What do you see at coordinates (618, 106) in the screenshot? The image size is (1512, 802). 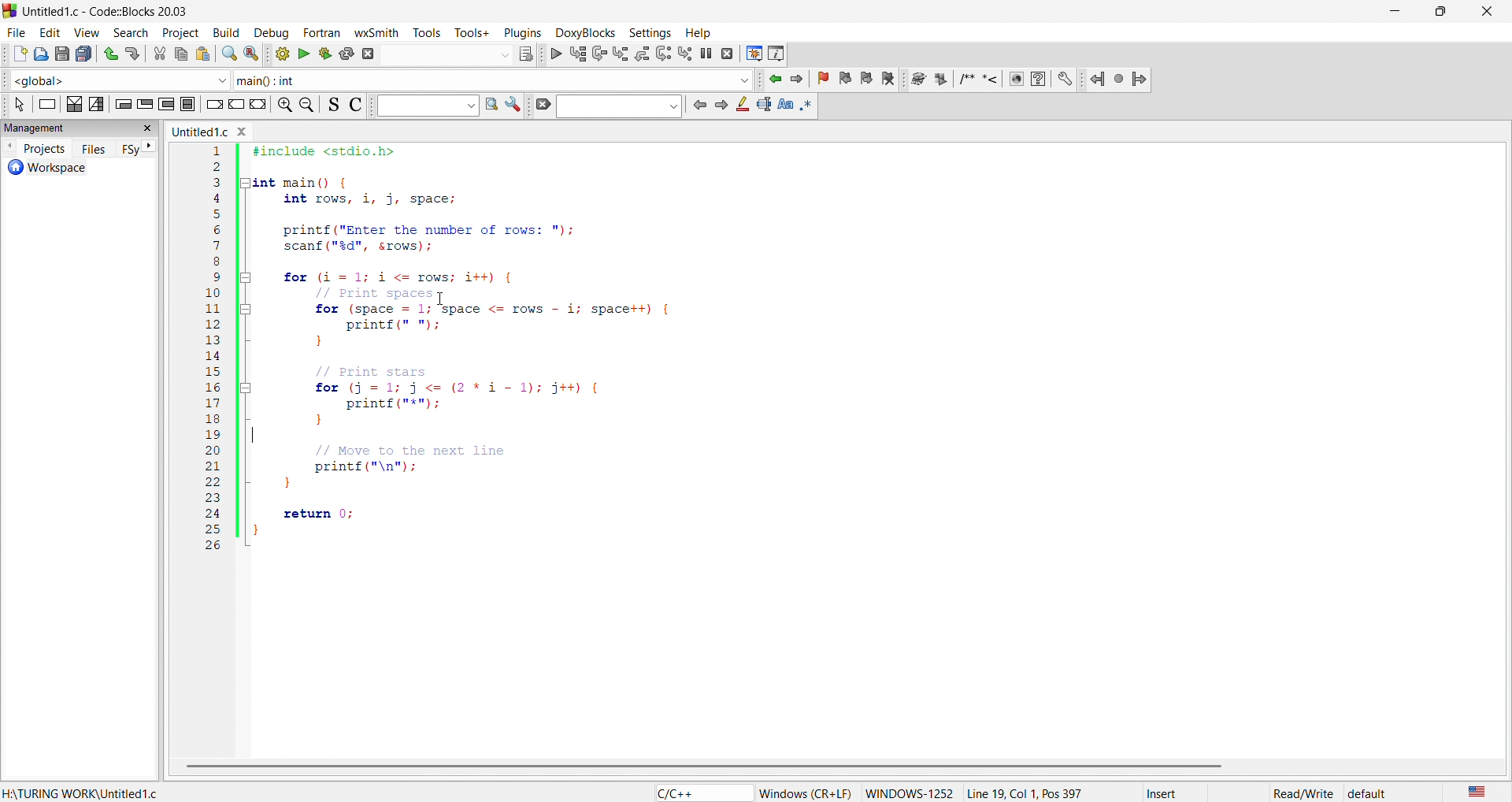 I see `inputbox` at bounding box center [618, 106].